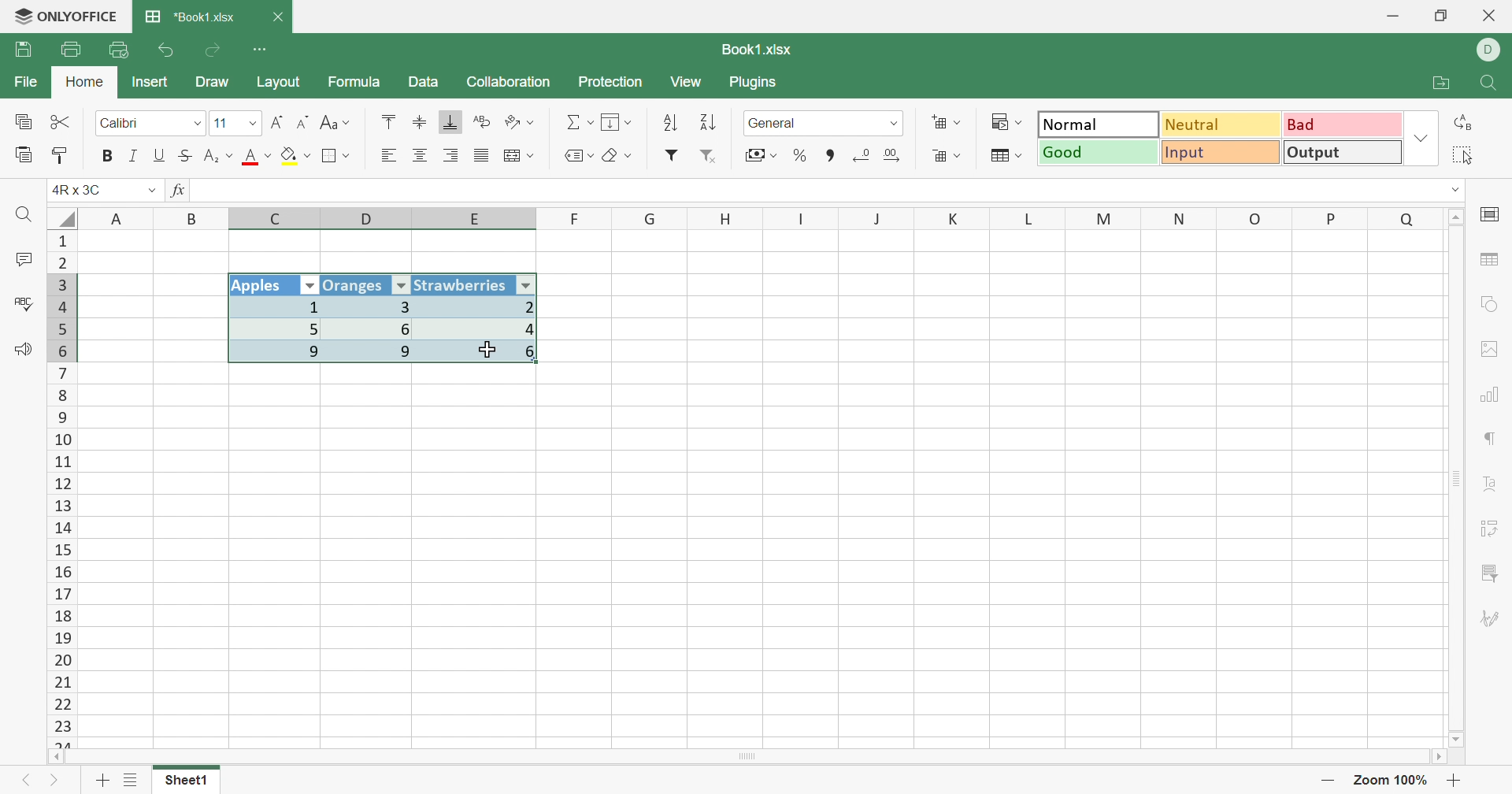 The width and height of the screenshot is (1512, 794). I want to click on Chart settings, so click(1495, 394).